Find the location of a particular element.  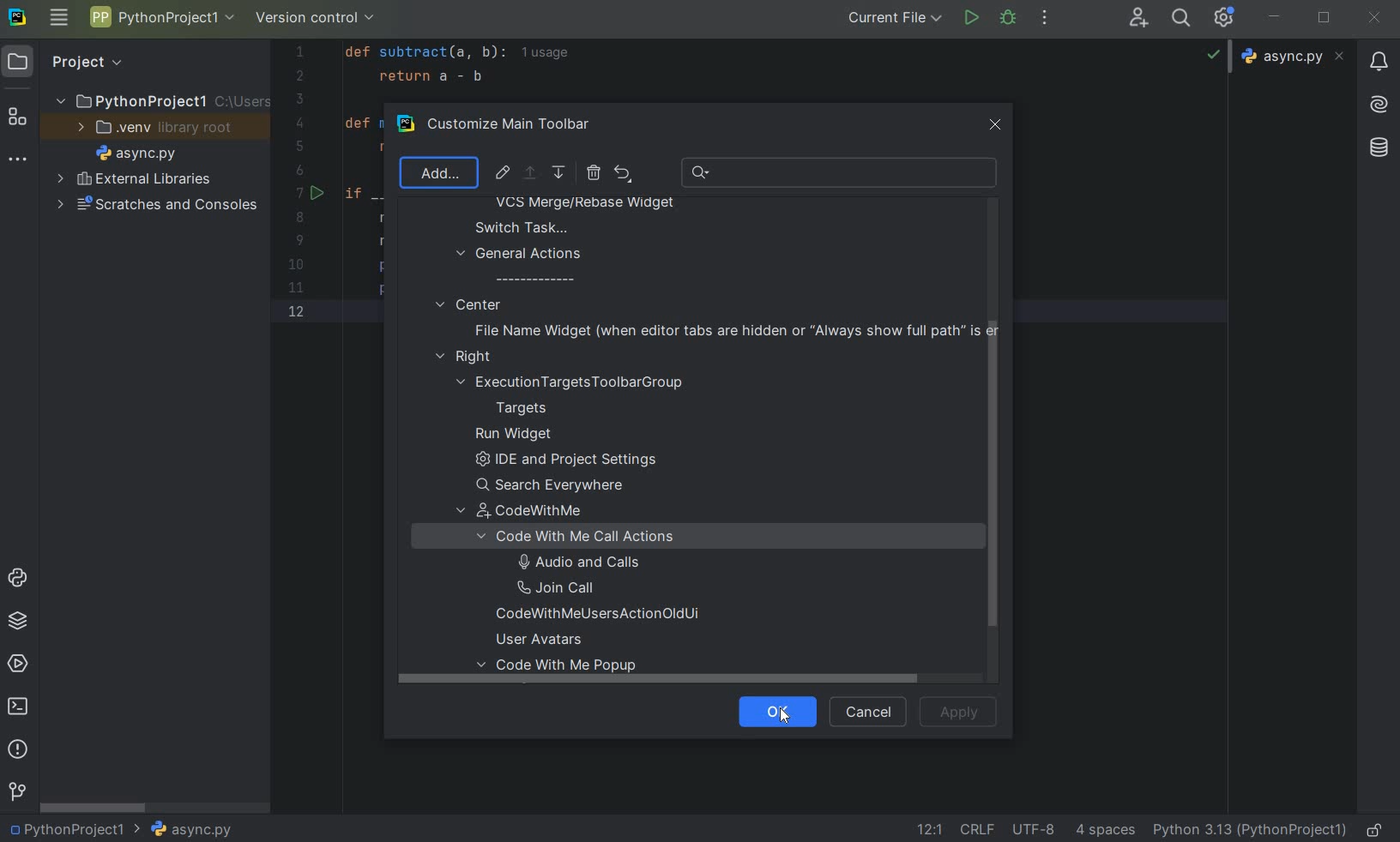

FILE NAME is located at coordinates (190, 830).